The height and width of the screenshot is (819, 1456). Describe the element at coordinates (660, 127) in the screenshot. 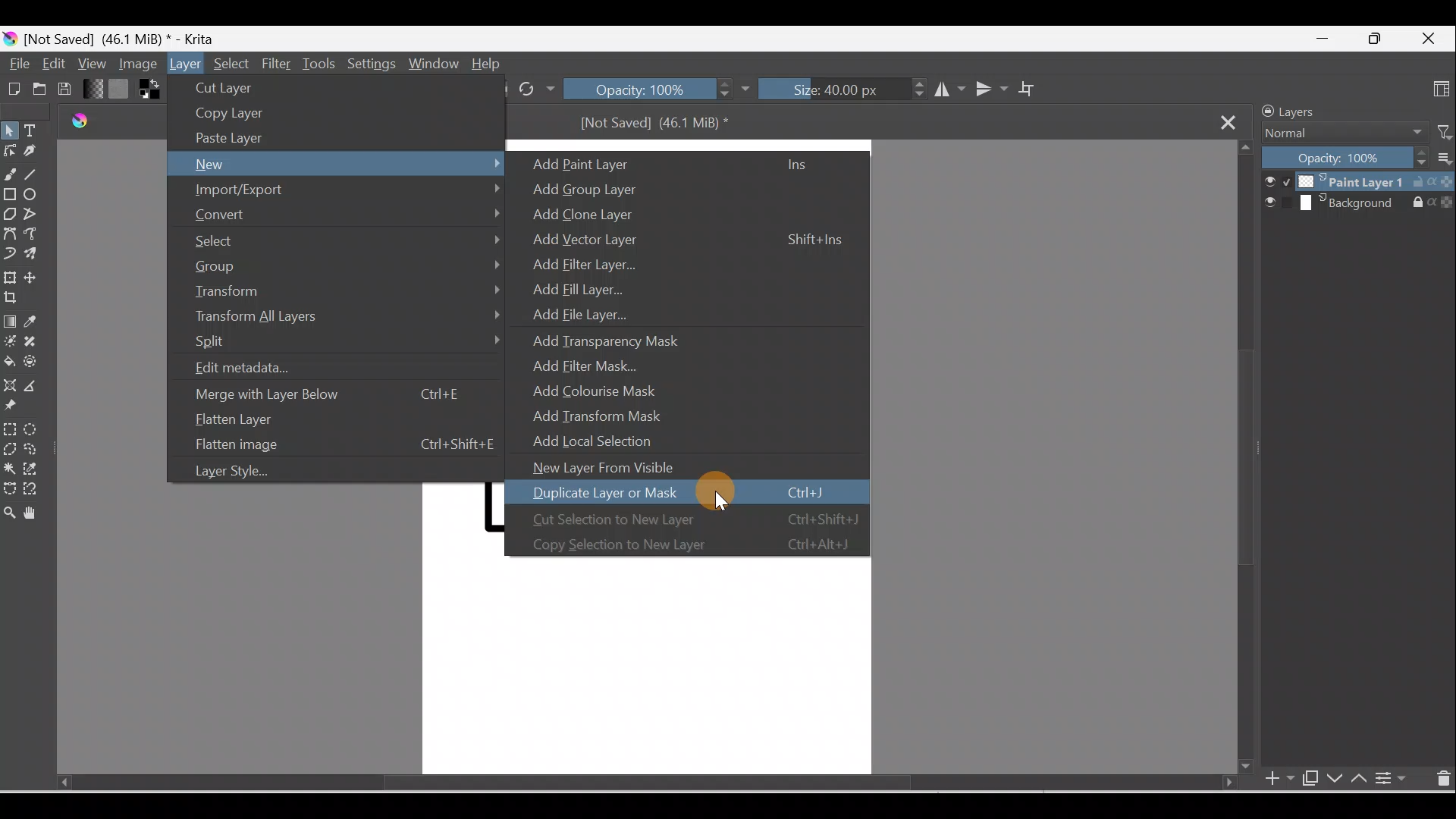

I see `[Not Saved] (46.1 MiB)` at that location.